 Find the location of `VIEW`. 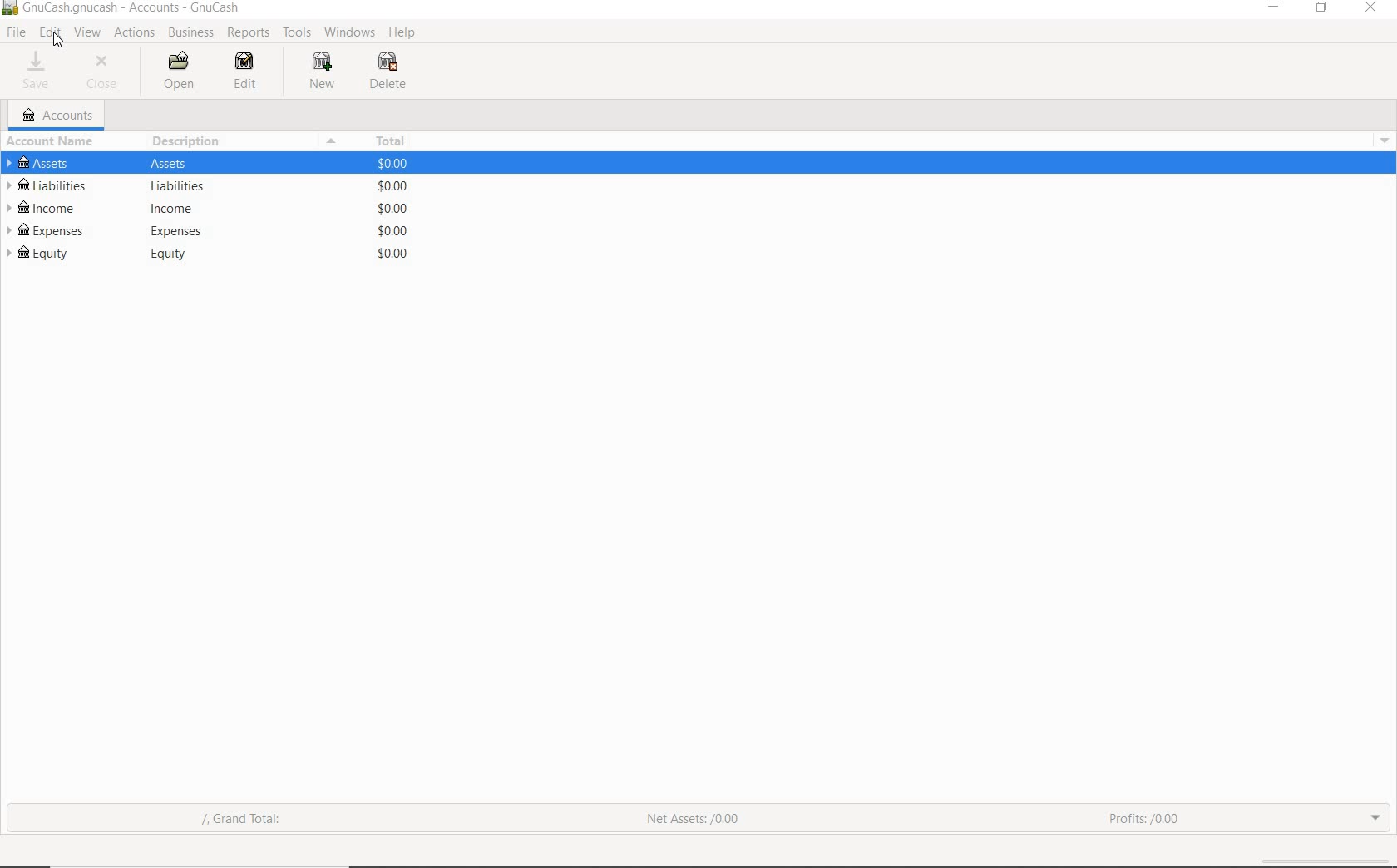

VIEW is located at coordinates (87, 31).